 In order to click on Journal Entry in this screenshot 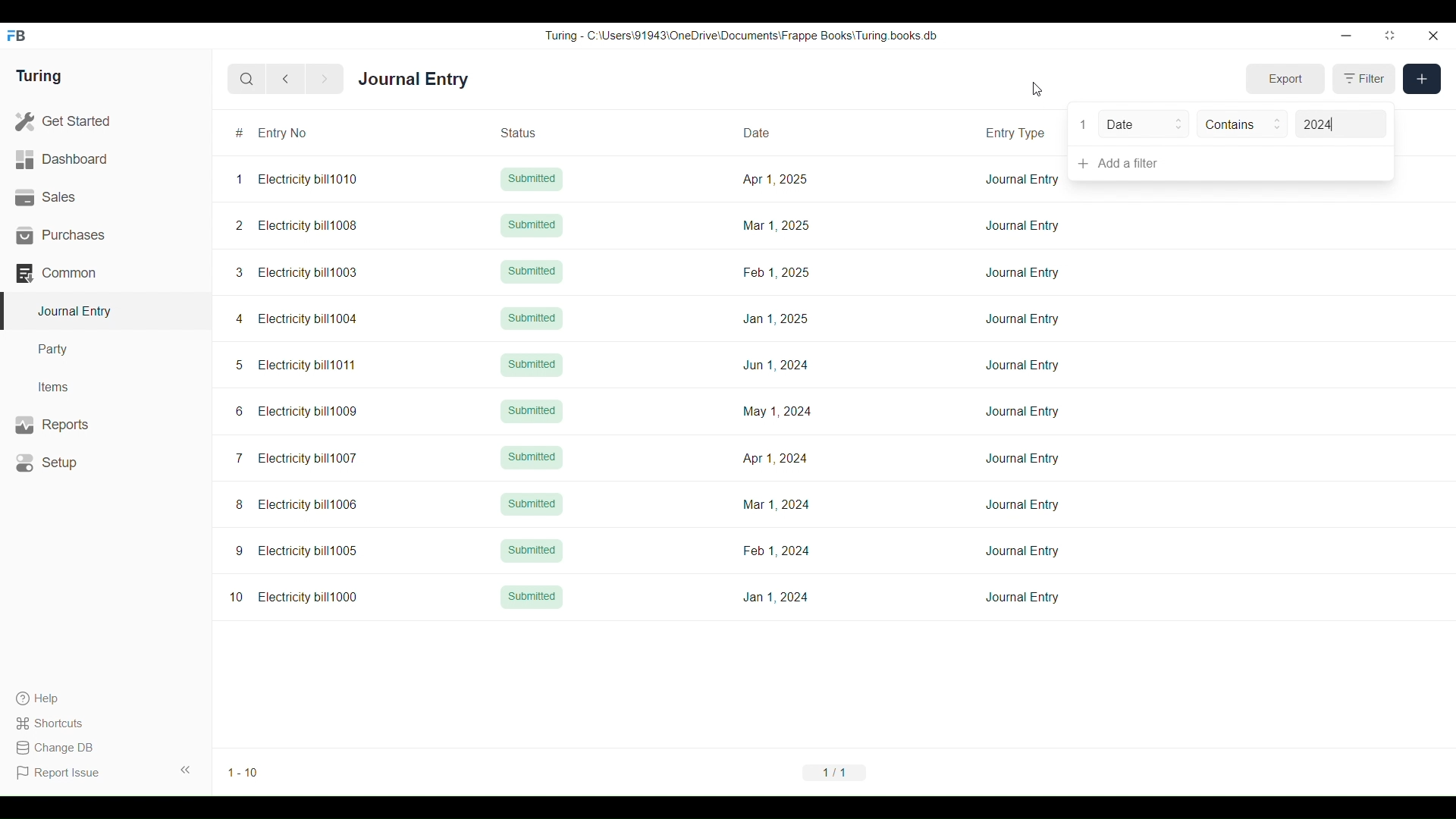, I will do `click(1024, 272)`.